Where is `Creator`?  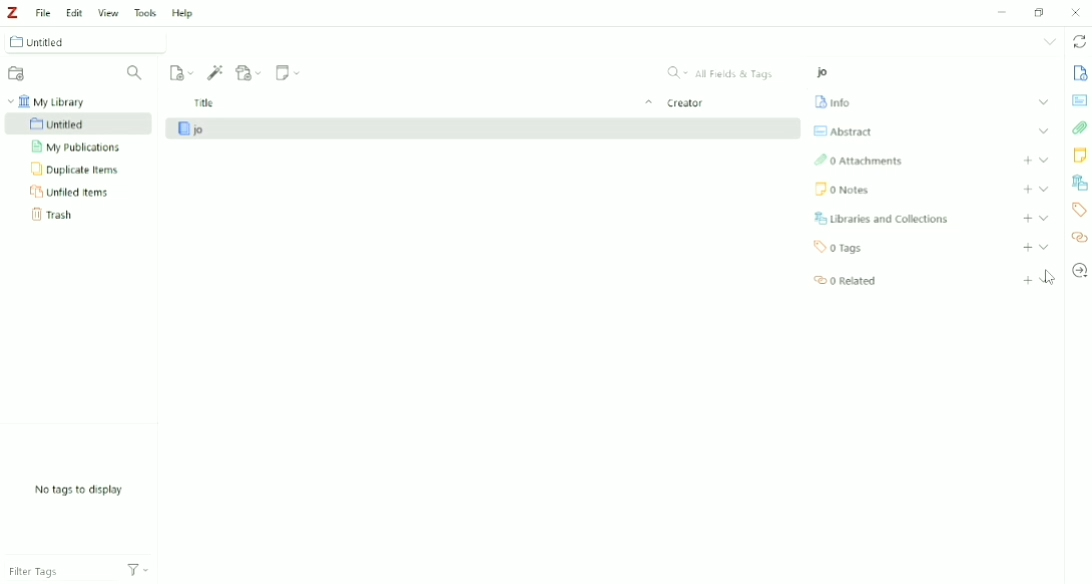
Creator is located at coordinates (701, 102).